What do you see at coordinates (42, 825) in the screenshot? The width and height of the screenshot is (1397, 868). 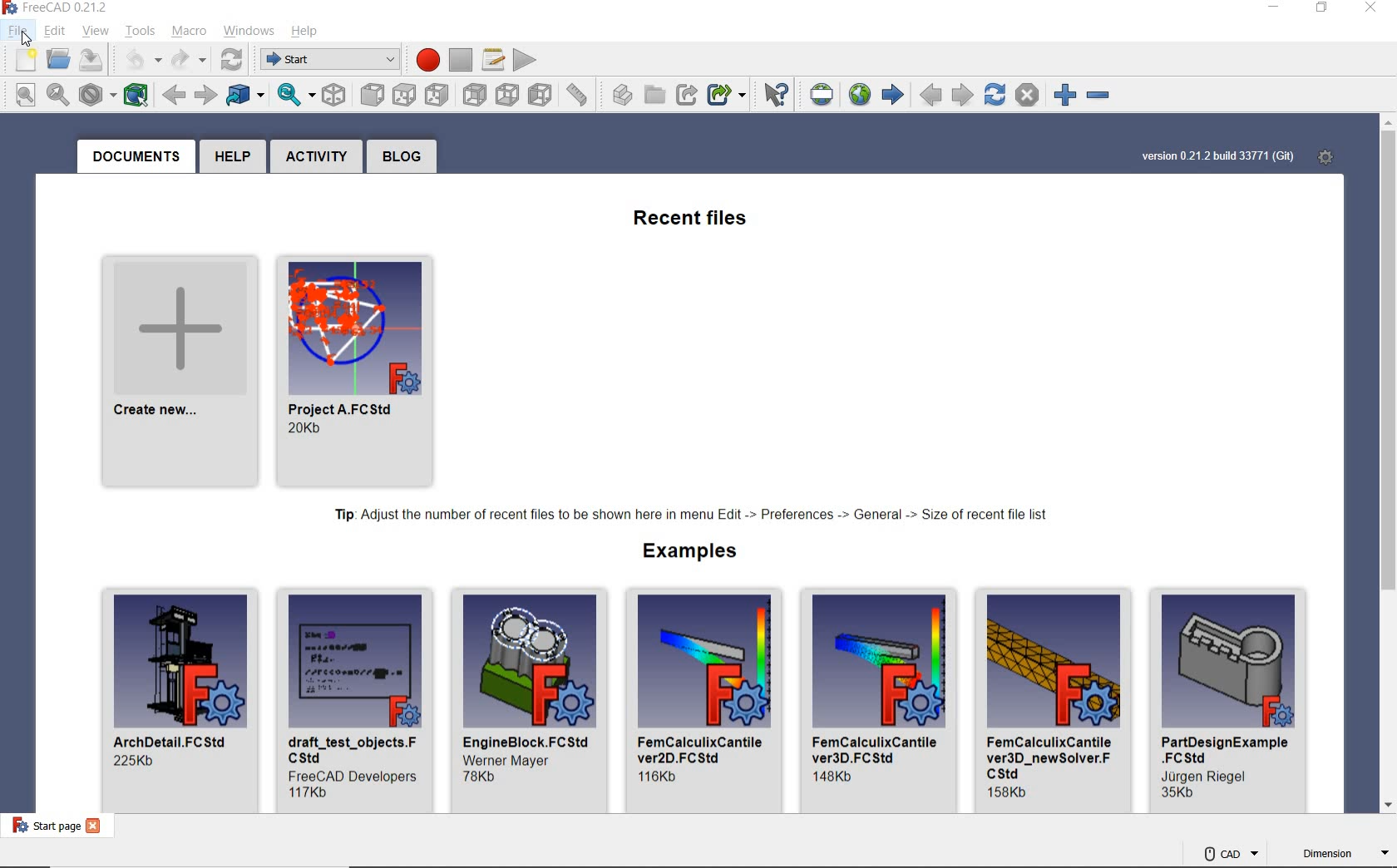 I see `START PAGE` at bounding box center [42, 825].